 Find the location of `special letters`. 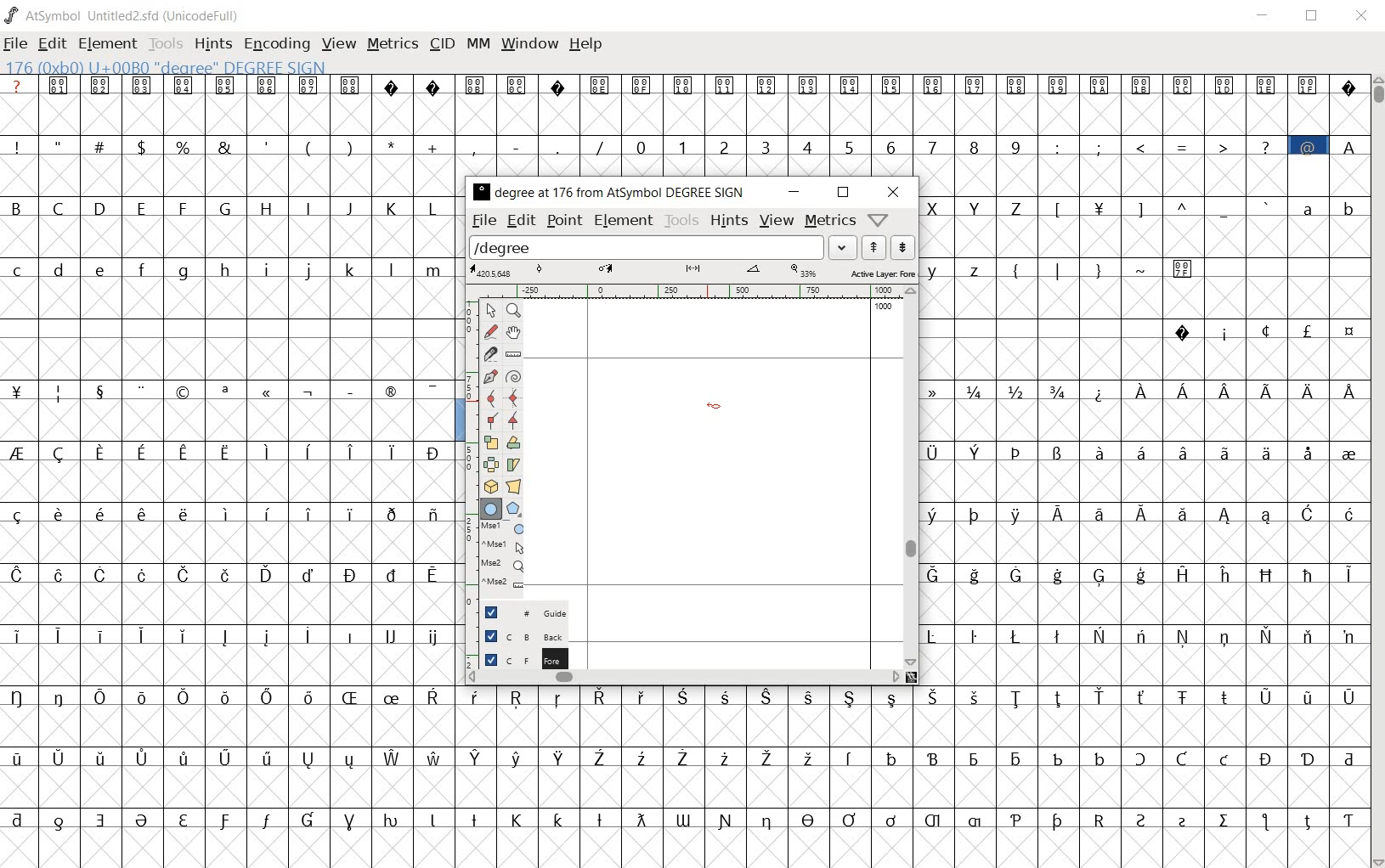

special letters is located at coordinates (227, 695).